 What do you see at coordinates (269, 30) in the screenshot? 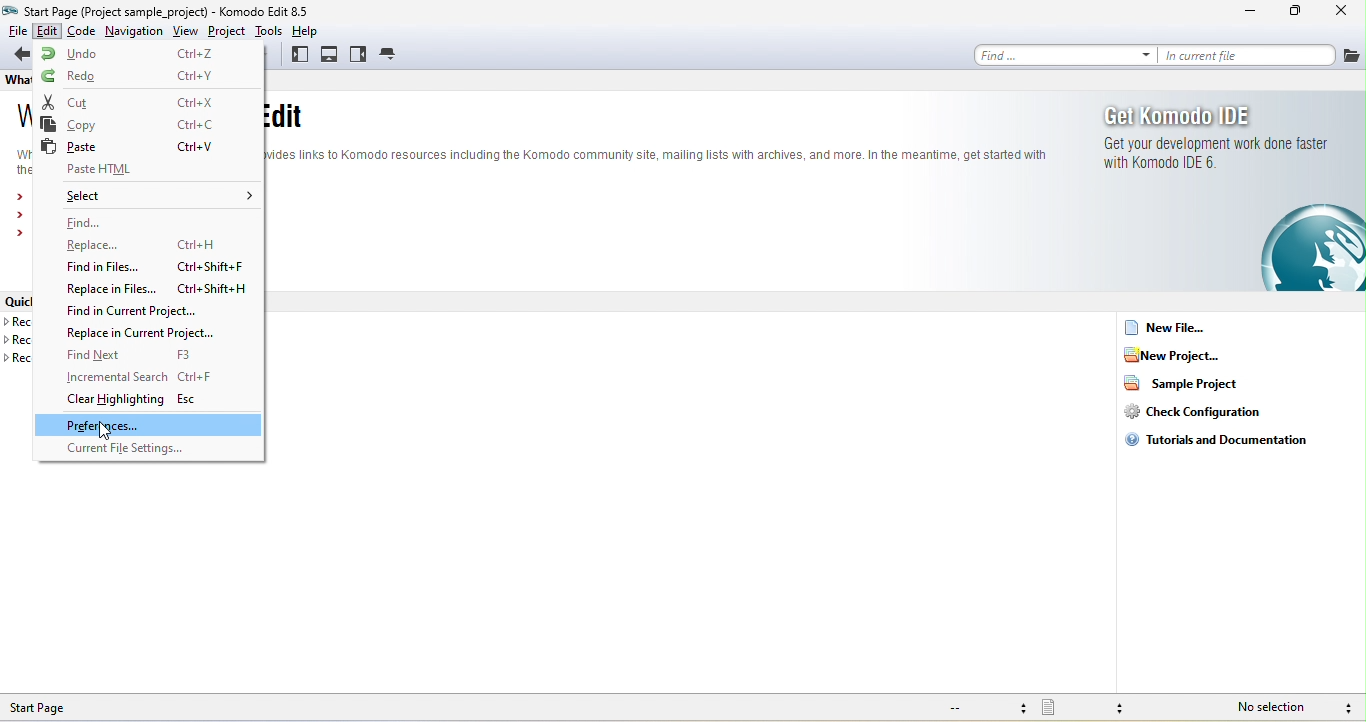
I see `tools` at bounding box center [269, 30].